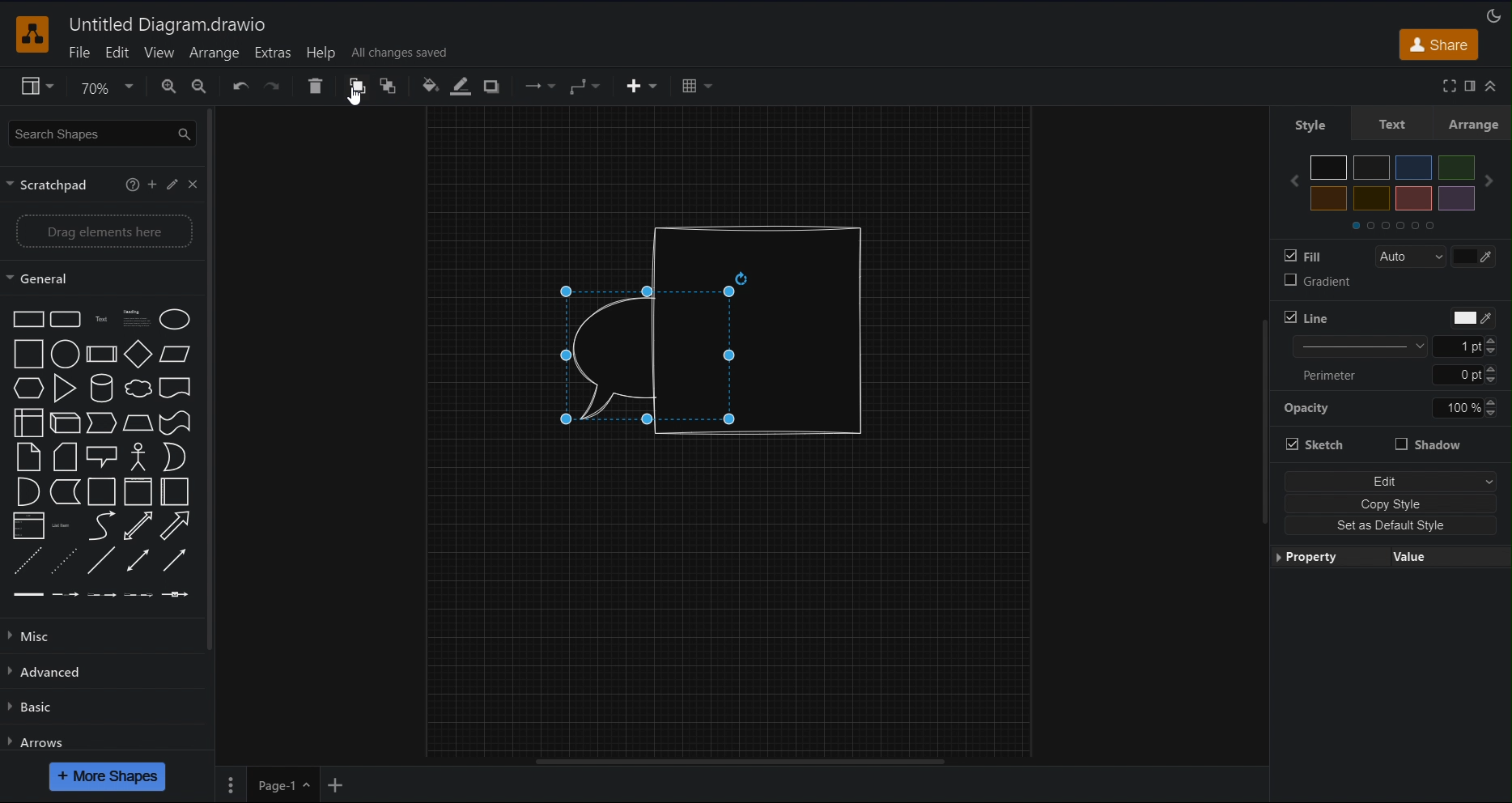  I want to click on Square, so click(29, 355).